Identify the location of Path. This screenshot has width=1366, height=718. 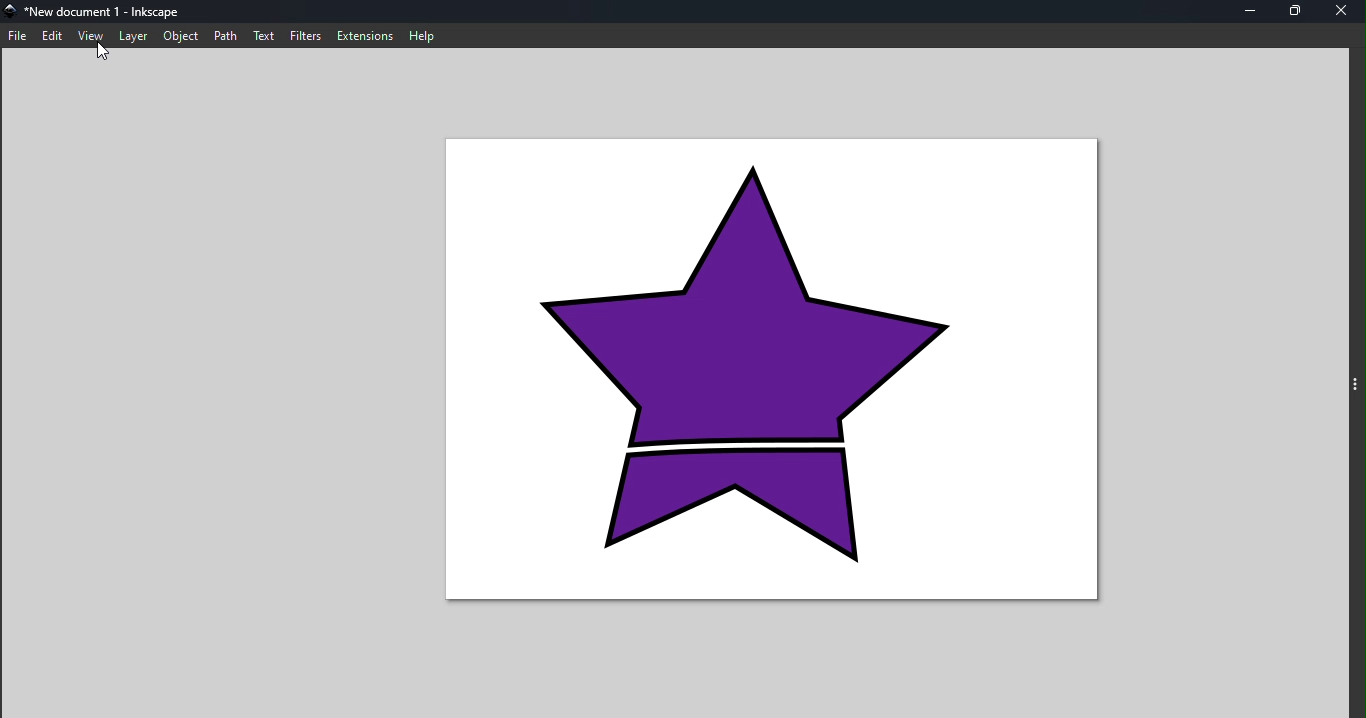
(226, 35).